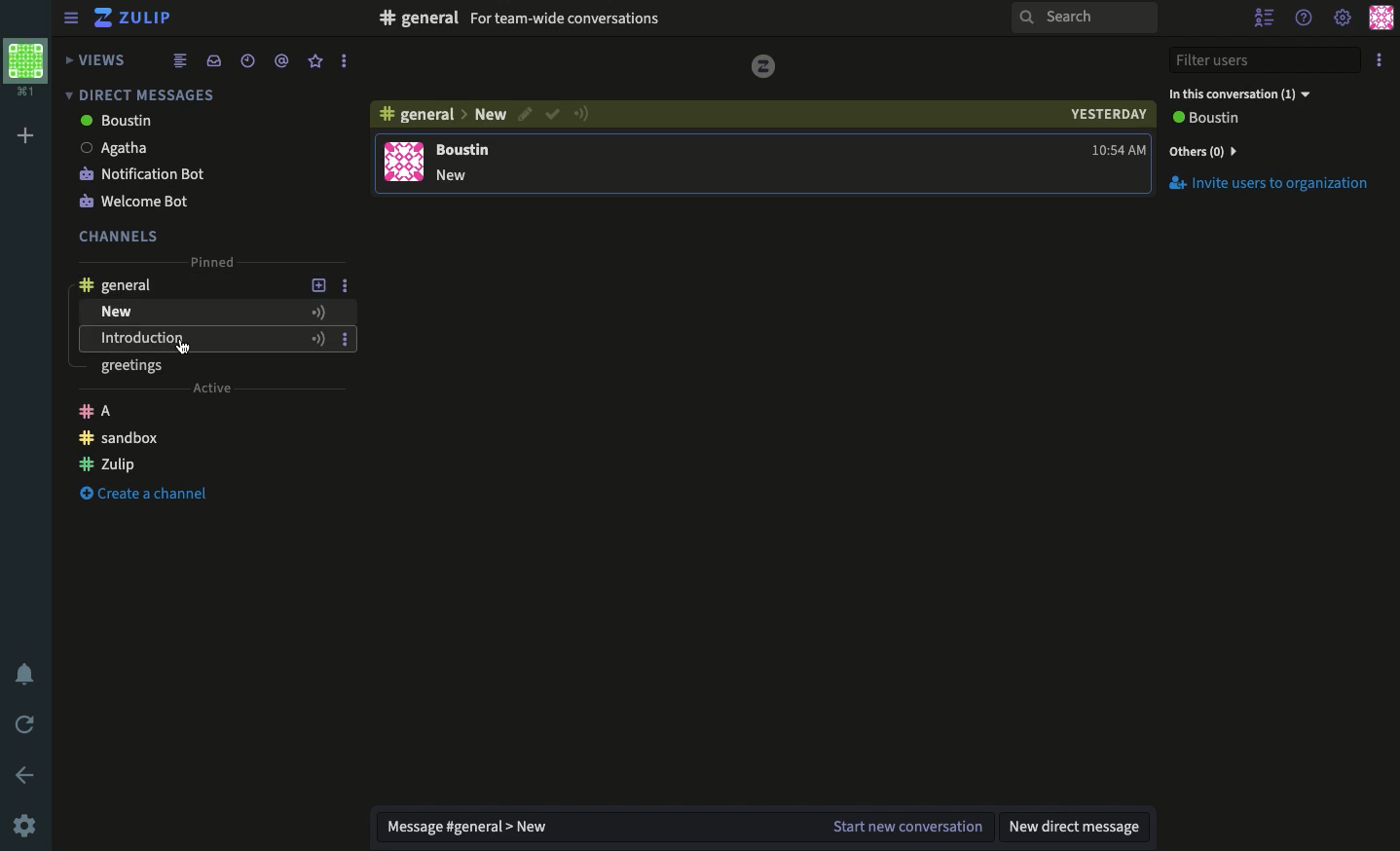 The height and width of the screenshot is (851, 1400). I want to click on User, so click(1204, 118).